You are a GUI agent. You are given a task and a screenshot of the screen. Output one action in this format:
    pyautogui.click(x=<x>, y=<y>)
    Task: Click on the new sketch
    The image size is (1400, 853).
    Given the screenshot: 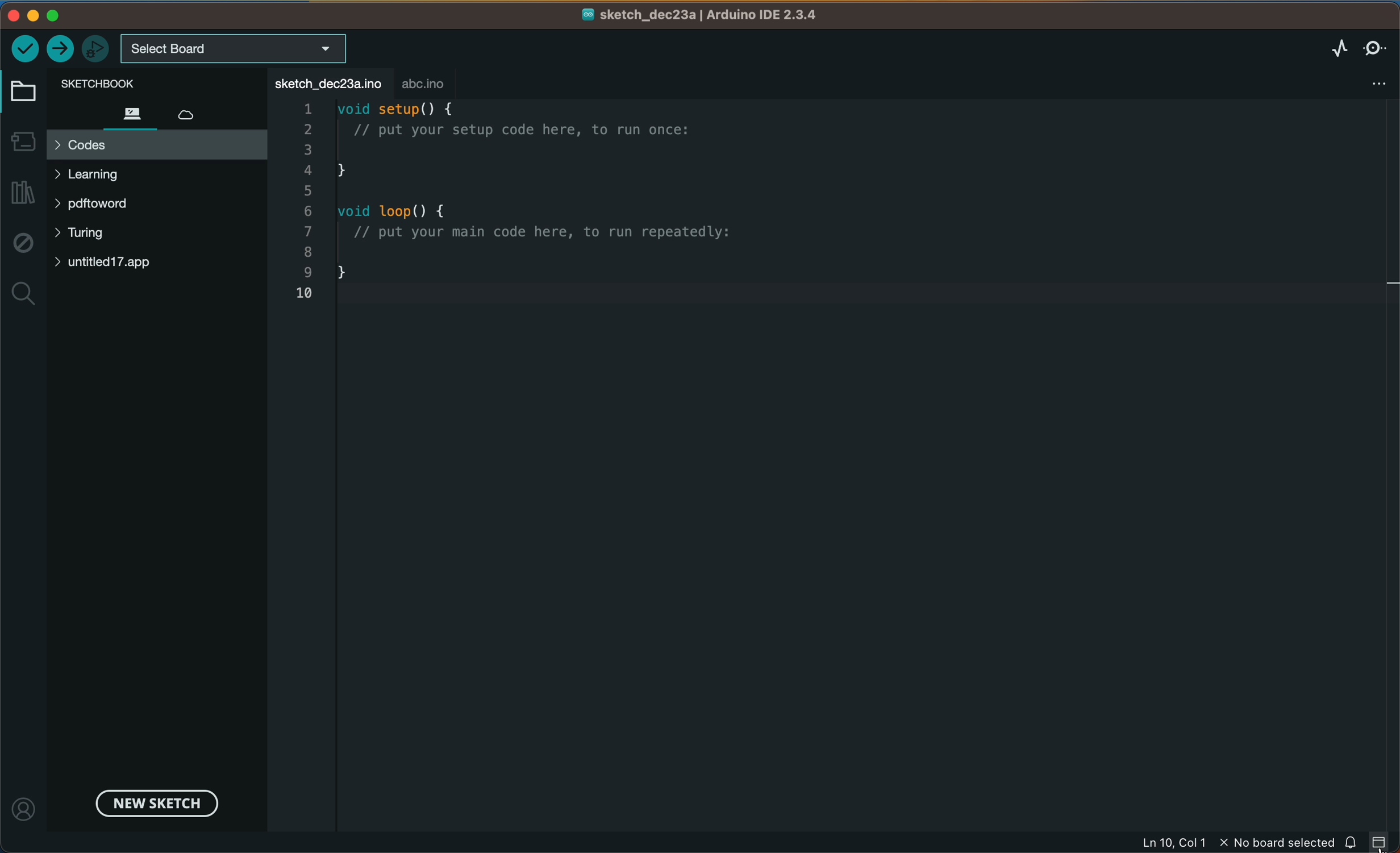 What is the action you would take?
    pyautogui.click(x=152, y=802)
    